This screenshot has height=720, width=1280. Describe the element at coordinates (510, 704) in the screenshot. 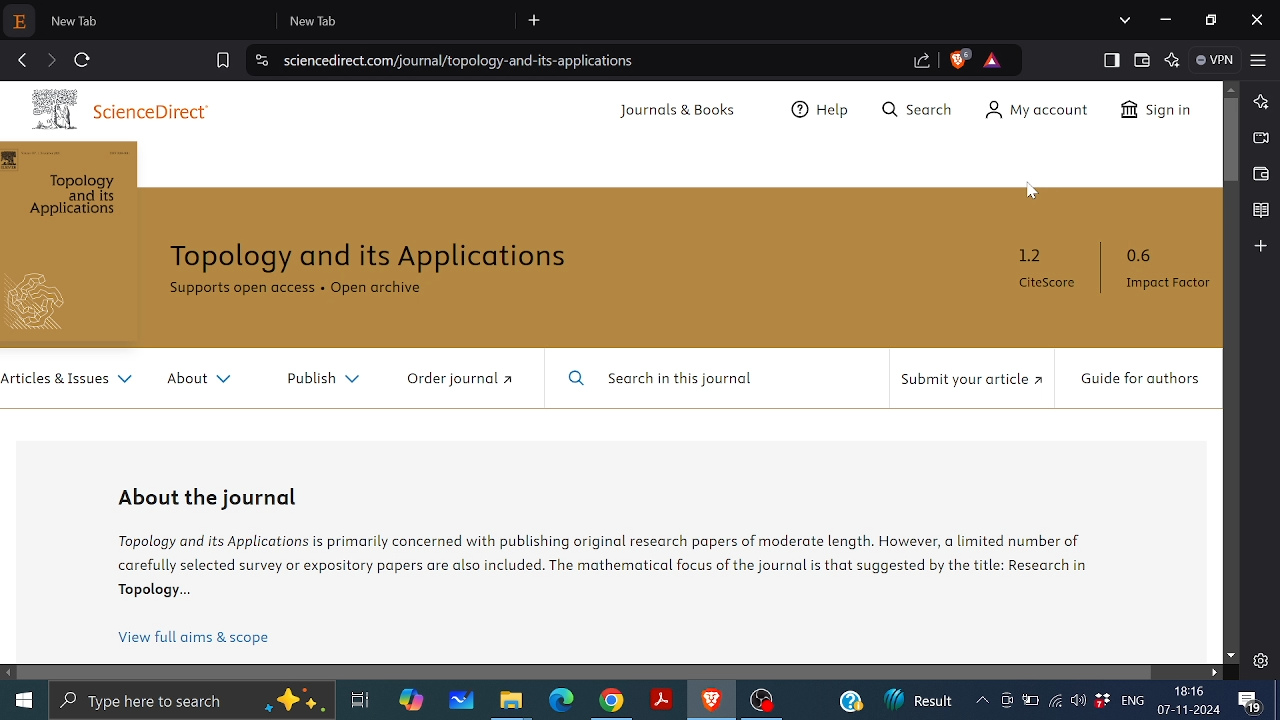

I see `Files` at that location.